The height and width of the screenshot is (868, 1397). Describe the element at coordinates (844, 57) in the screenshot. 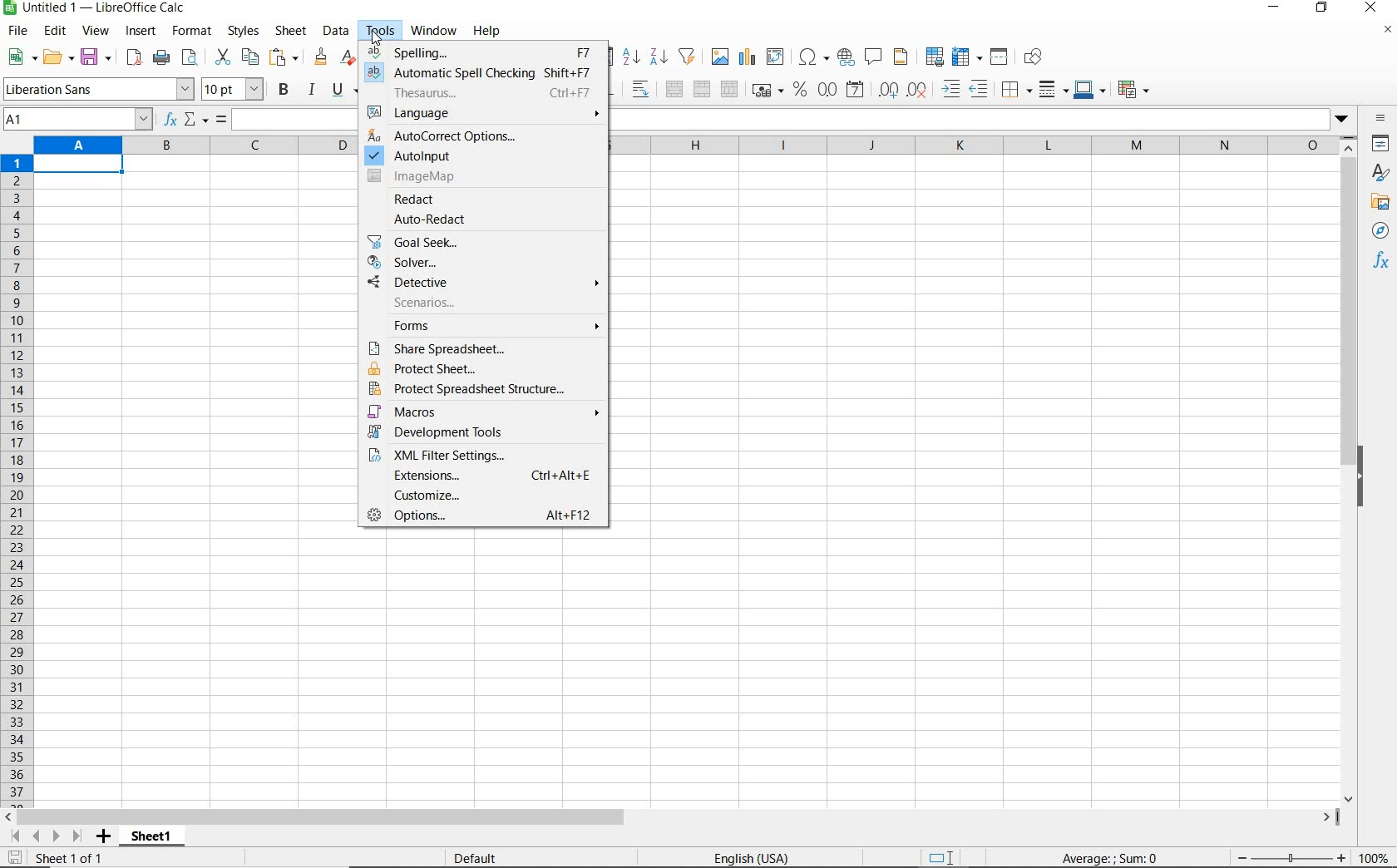

I see `insert hyperlink` at that location.